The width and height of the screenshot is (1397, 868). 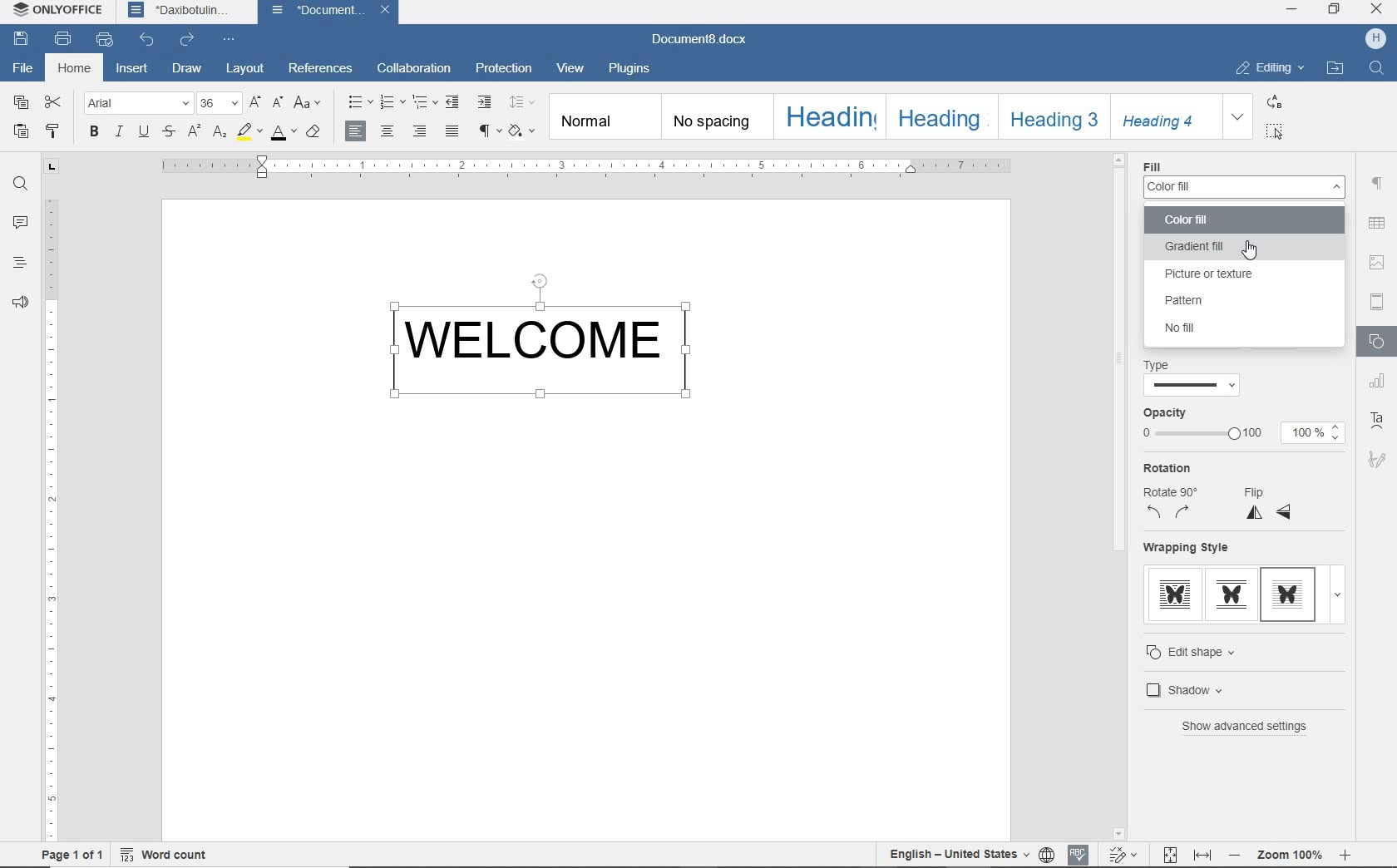 I want to click on Scroll down, so click(x=1118, y=835).